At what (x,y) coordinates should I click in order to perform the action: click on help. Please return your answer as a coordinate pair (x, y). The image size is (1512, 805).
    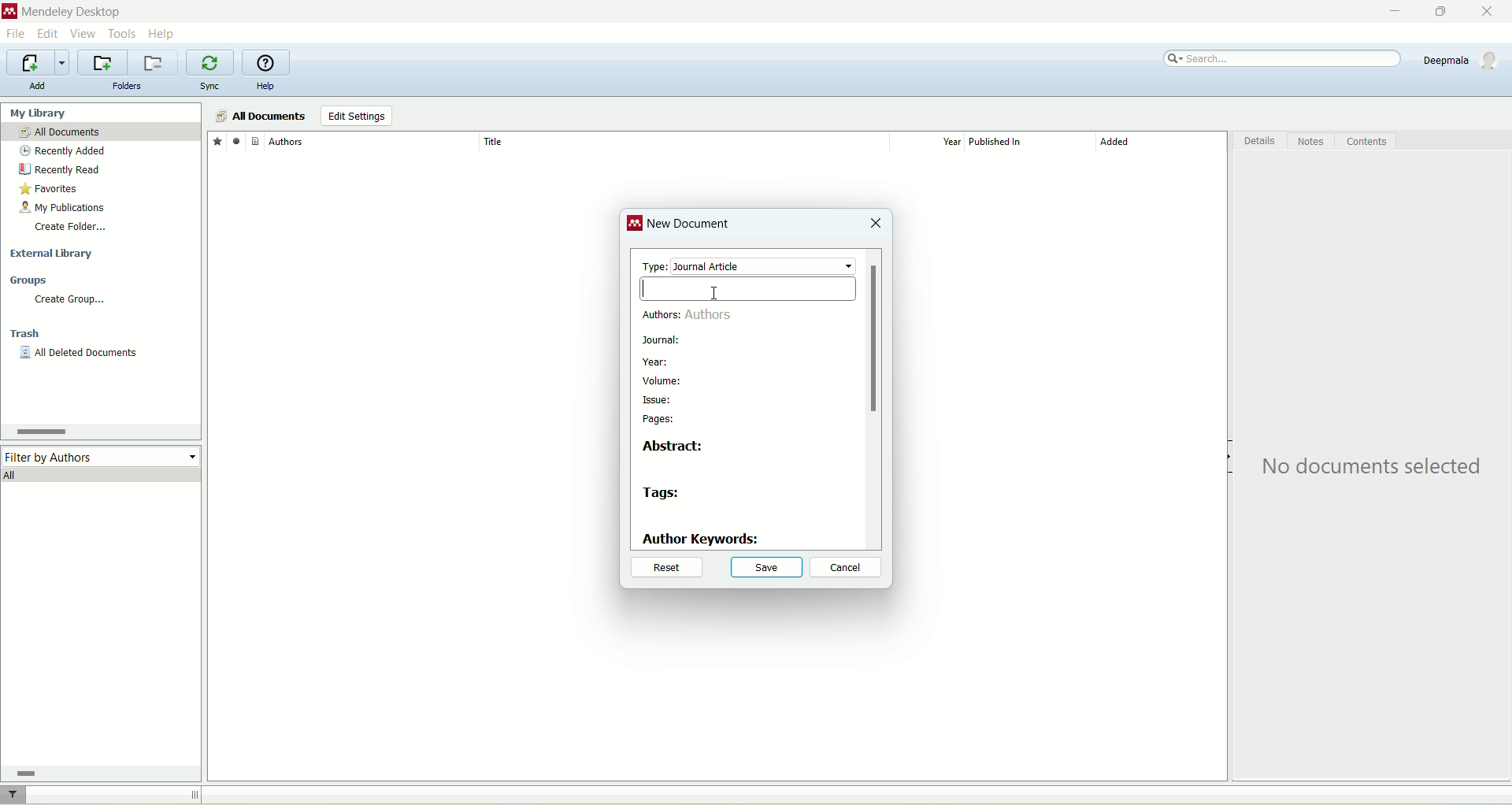
    Looking at the image, I should click on (163, 33).